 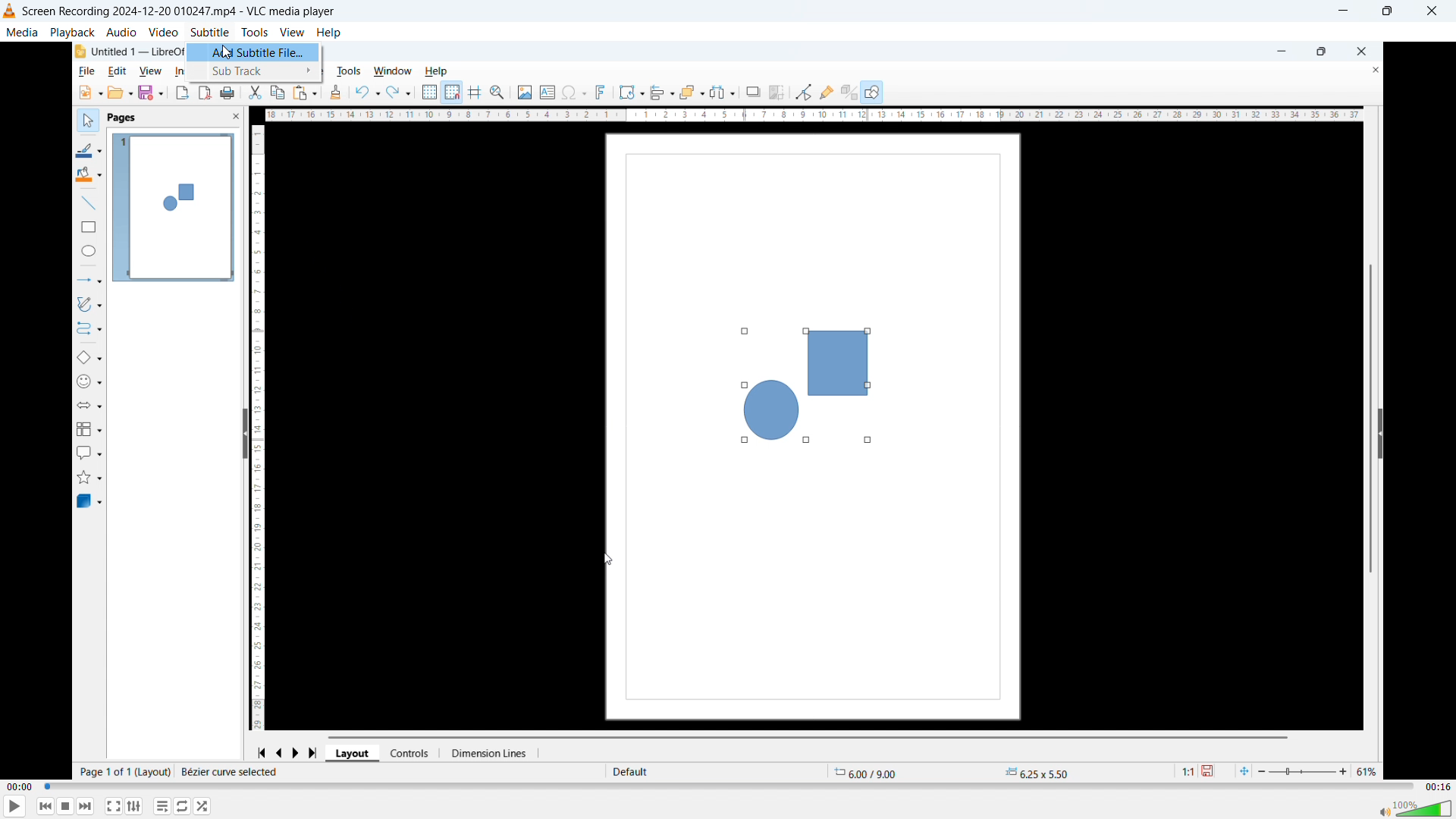 What do you see at coordinates (1361, 50) in the screenshot?
I see `close` at bounding box center [1361, 50].